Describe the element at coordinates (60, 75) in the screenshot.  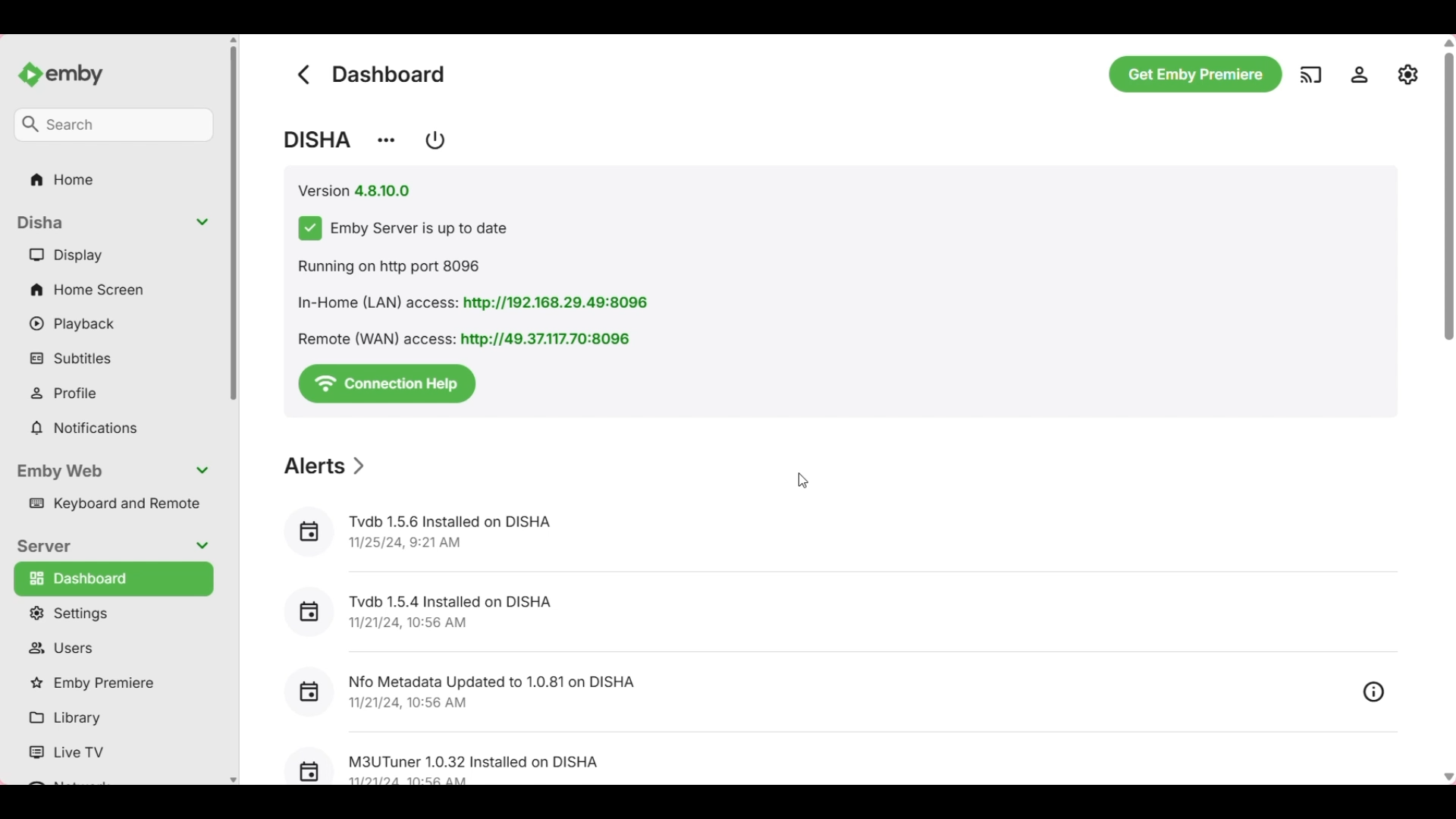
I see `Go to home button/Name and image of Emby` at that location.